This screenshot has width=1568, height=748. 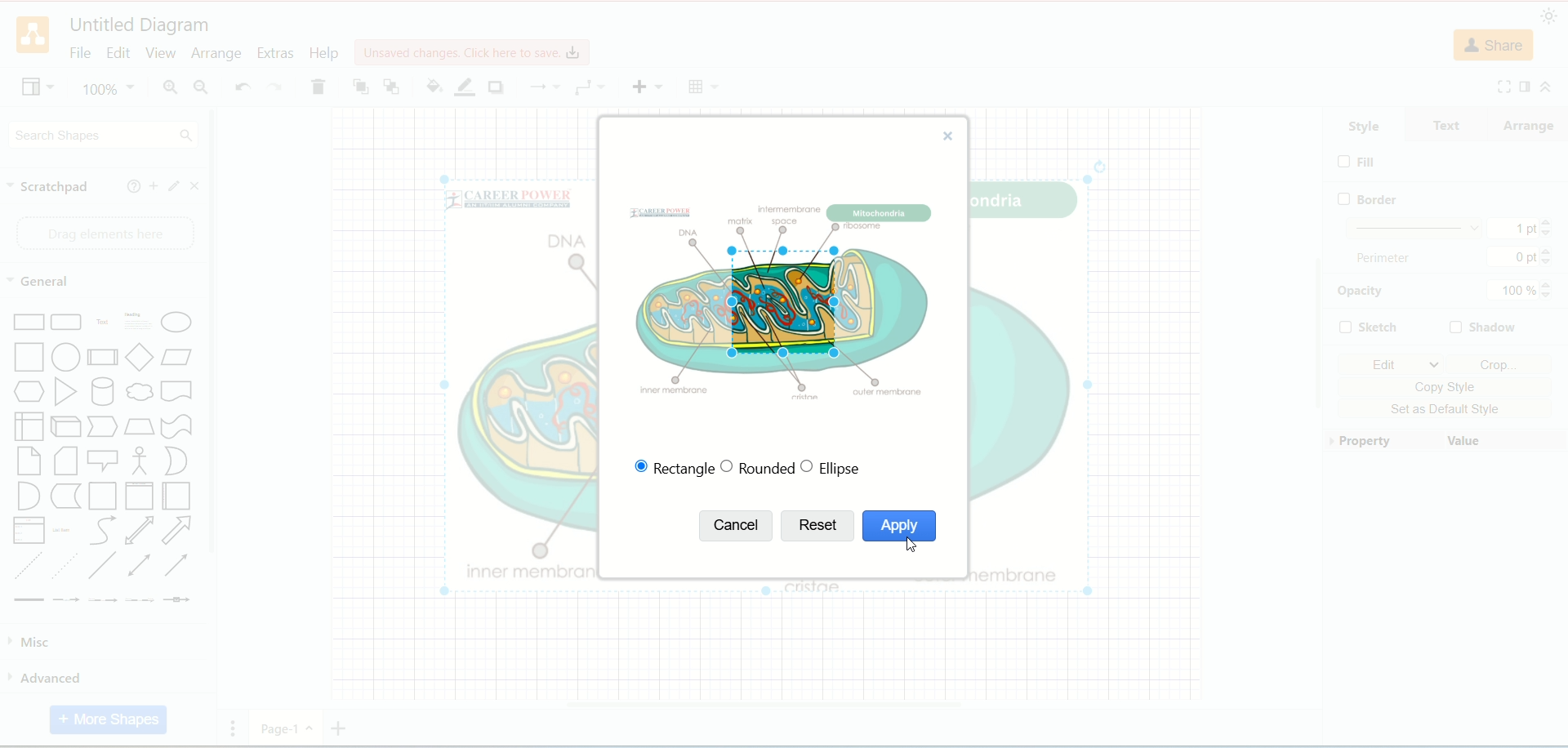 I want to click on drag elements here, so click(x=100, y=232).